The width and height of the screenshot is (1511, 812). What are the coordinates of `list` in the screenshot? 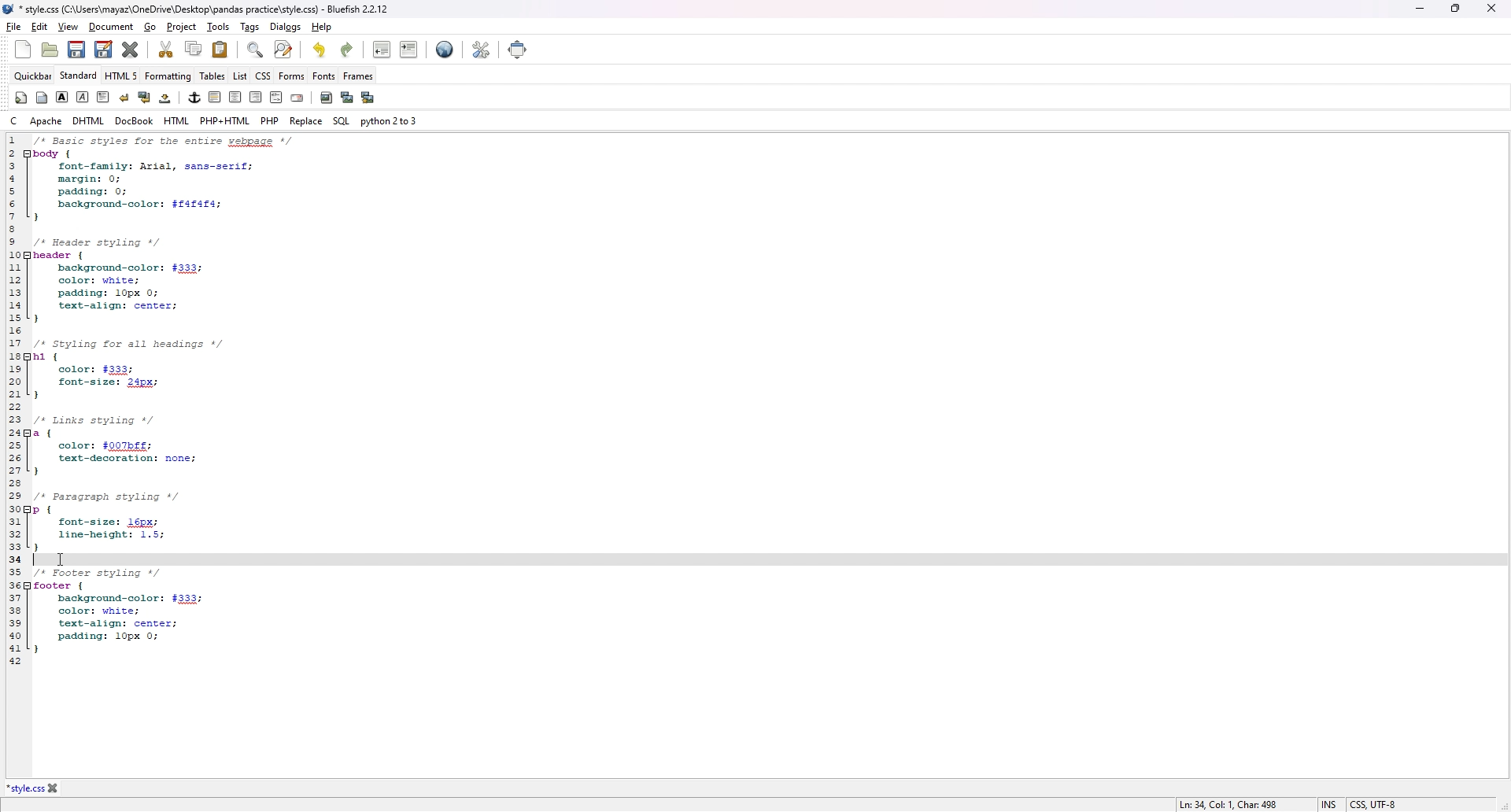 It's located at (240, 76).